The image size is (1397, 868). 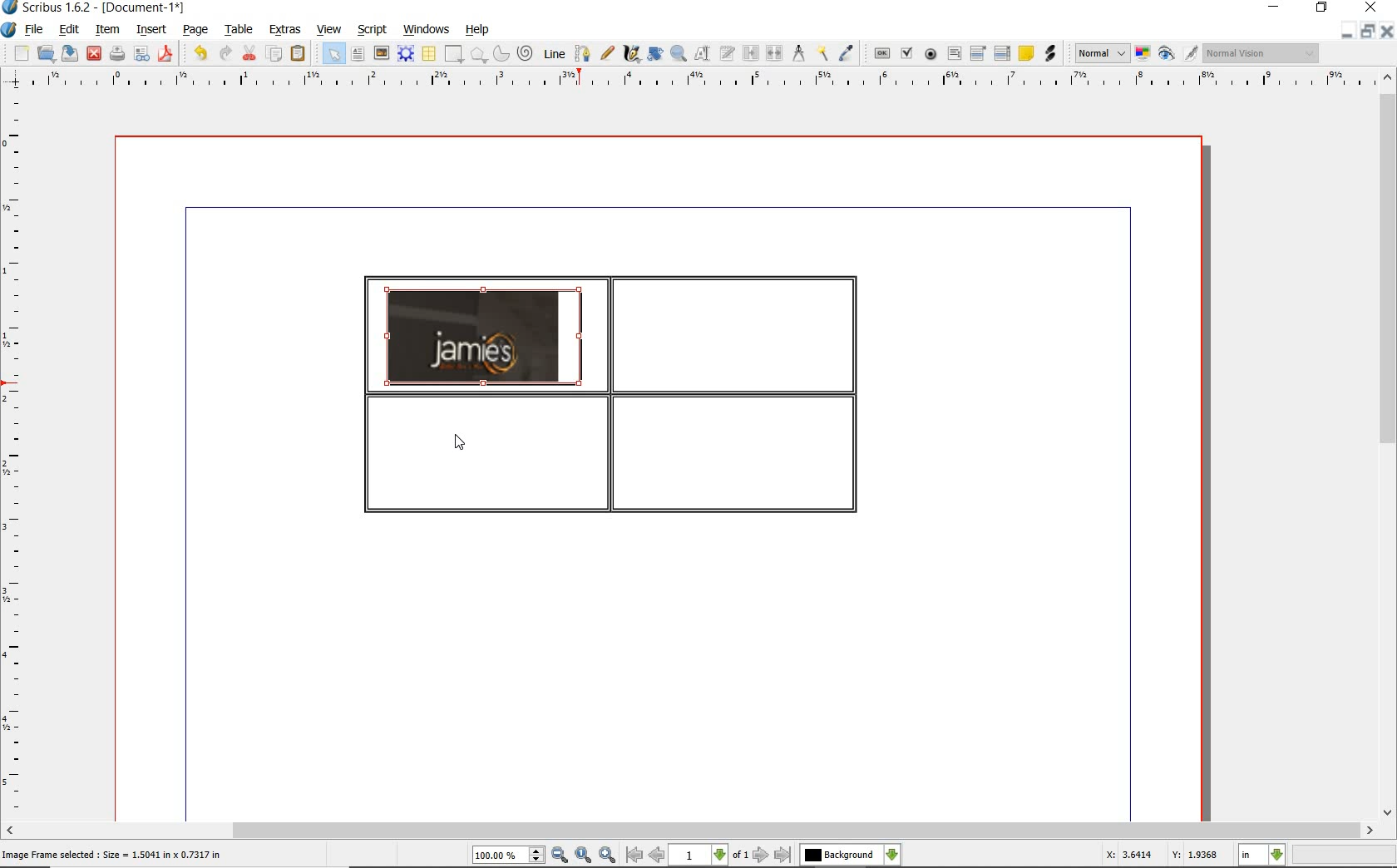 What do you see at coordinates (703, 54) in the screenshot?
I see `edit contents of frame` at bounding box center [703, 54].